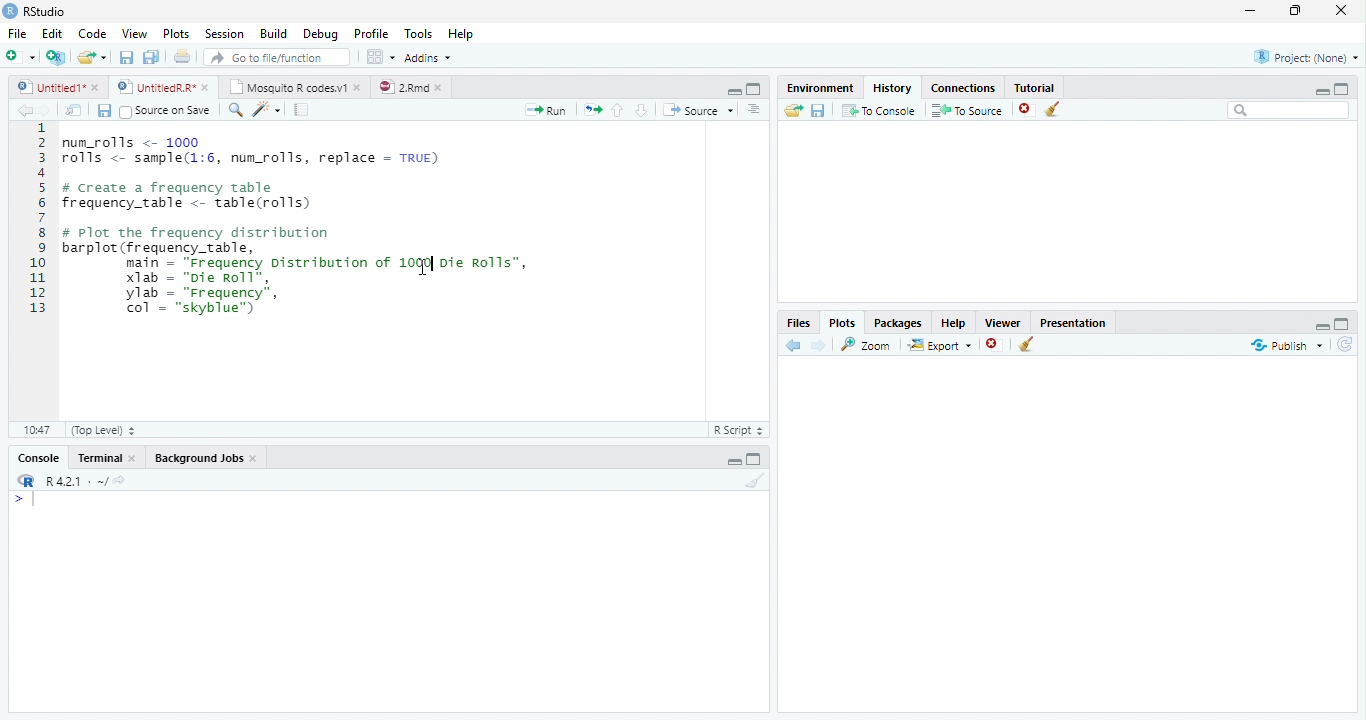 The width and height of the screenshot is (1366, 720). Describe the element at coordinates (1344, 345) in the screenshot. I see `Refresh List` at that location.